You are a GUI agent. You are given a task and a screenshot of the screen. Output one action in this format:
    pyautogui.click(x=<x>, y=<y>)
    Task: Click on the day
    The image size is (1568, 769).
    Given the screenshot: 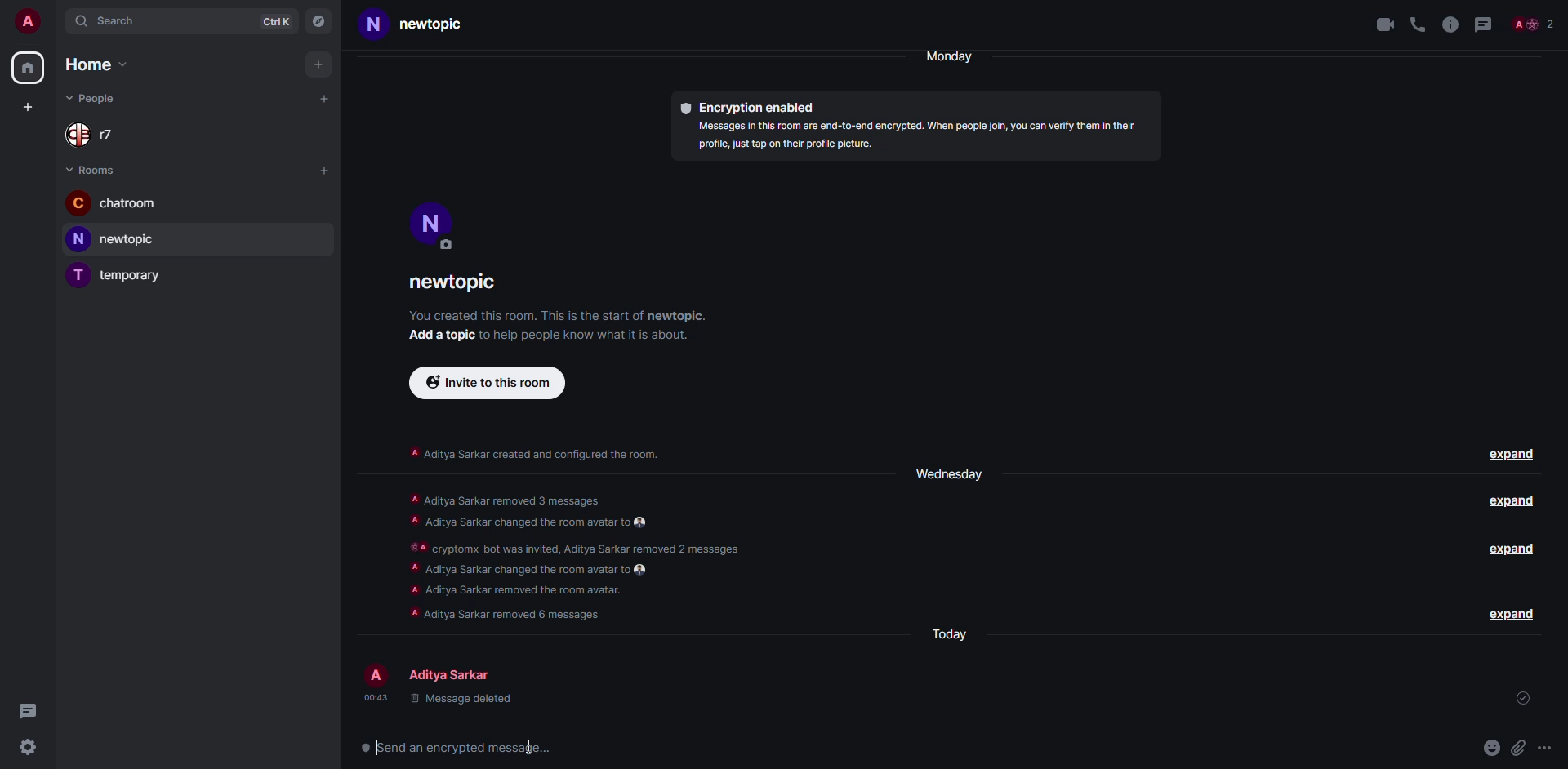 What is the action you would take?
    pyautogui.click(x=946, y=473)
    